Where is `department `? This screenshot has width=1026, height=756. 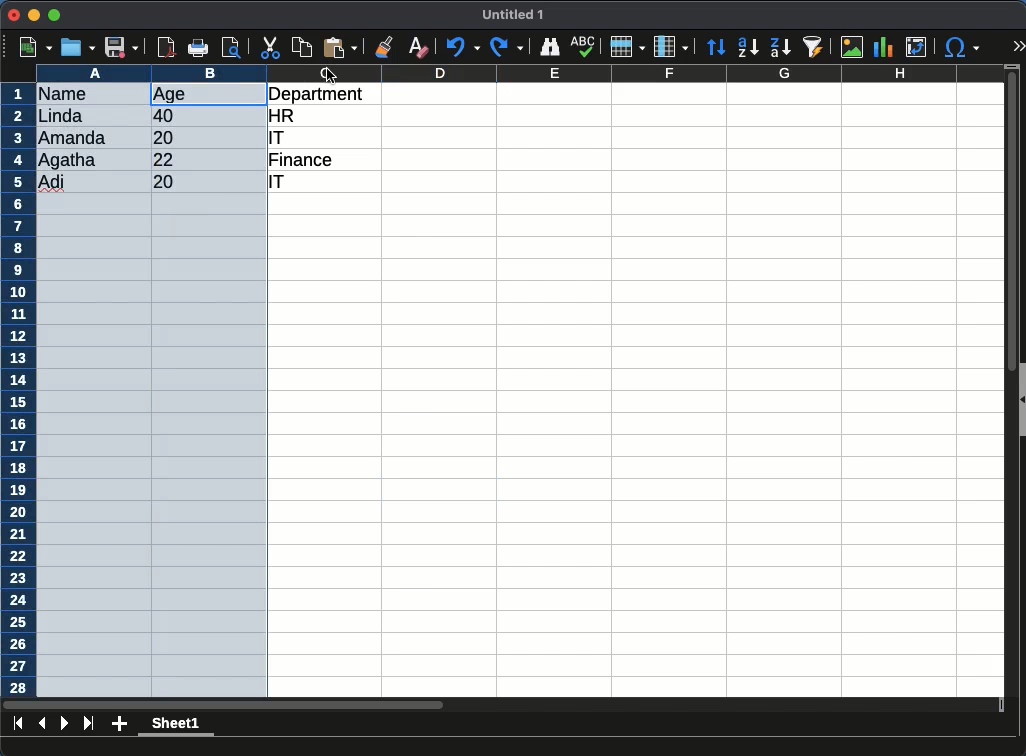
department  is located at coordinates (321, 94).